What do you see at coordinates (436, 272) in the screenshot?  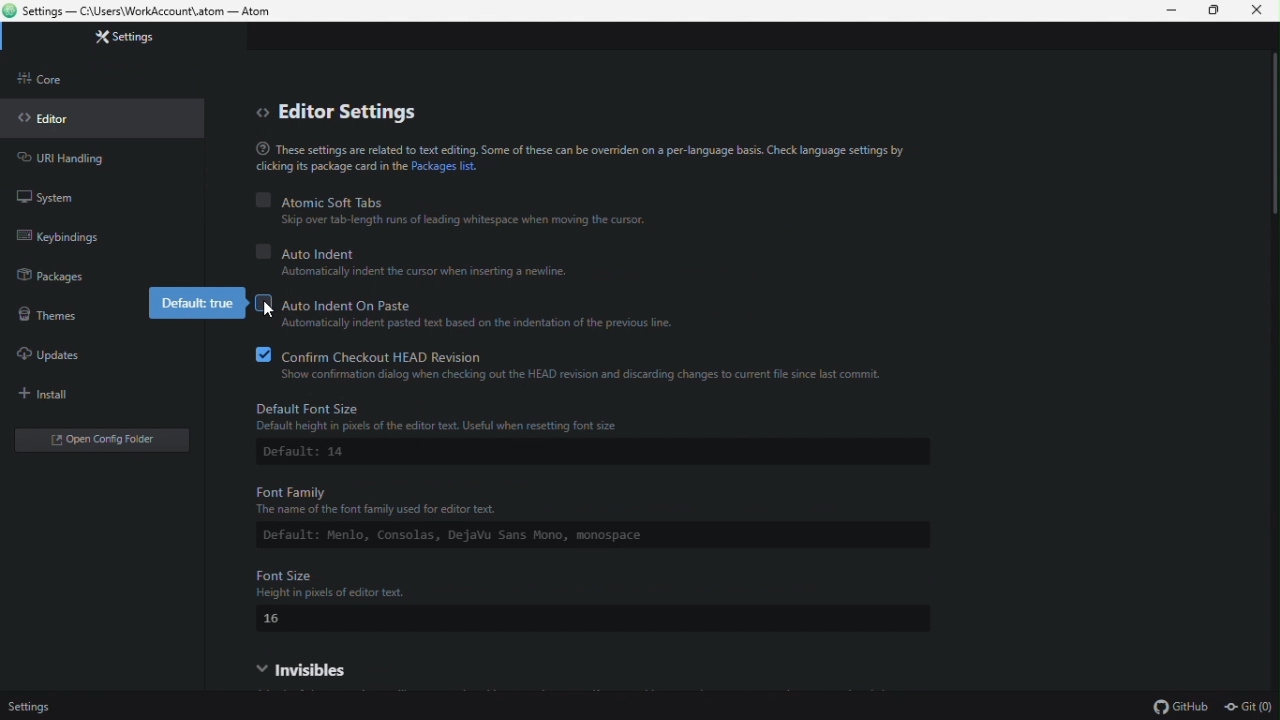 I see `Automatically indent the cursor when inserting a newline.` at bounding box center [436, 272].